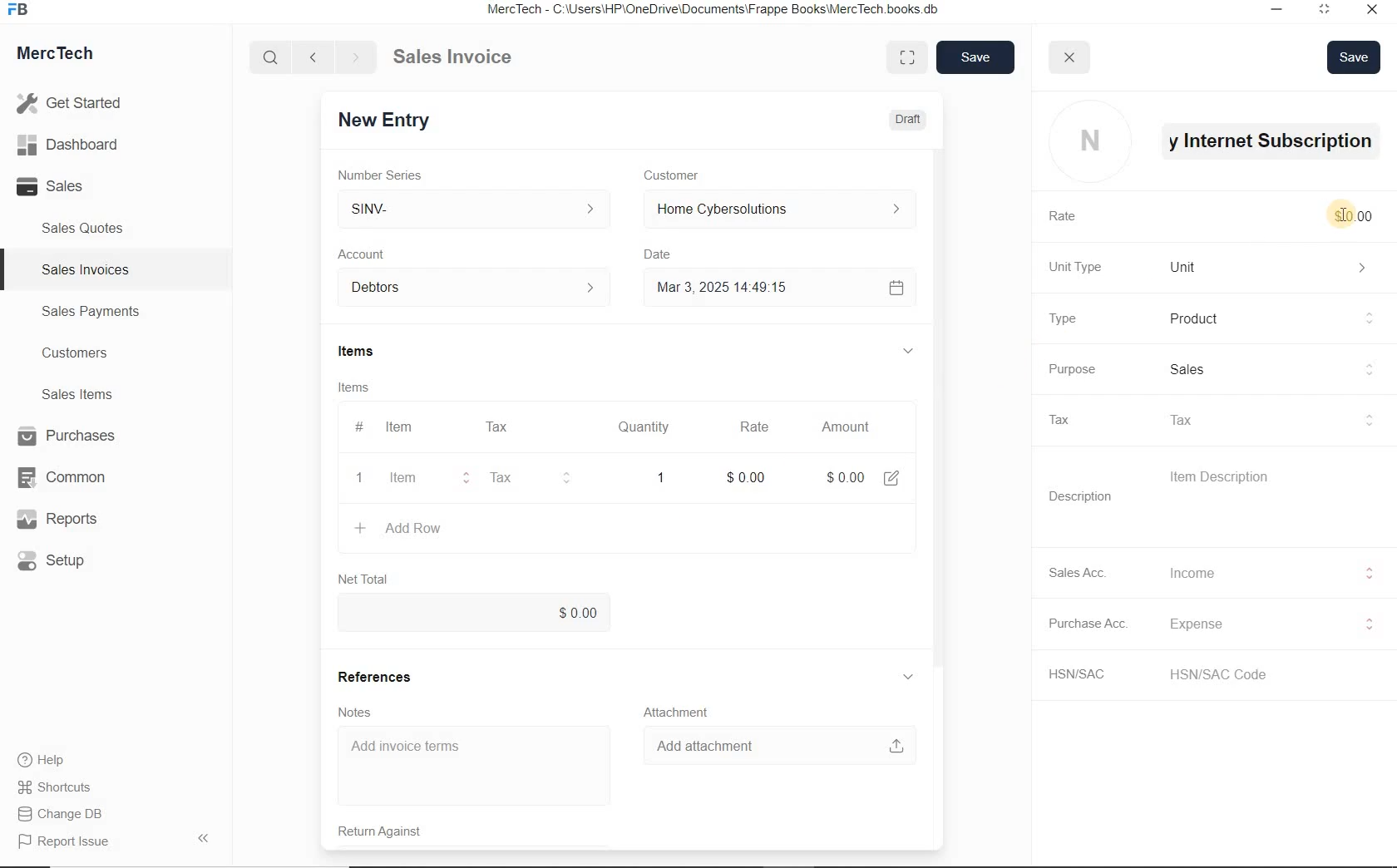 This screenshot has height=868, width=1397. What do you see at coordinates (1355, 216) in the screenshot?
I see `$0.00` at bounding box center [1355, 216].